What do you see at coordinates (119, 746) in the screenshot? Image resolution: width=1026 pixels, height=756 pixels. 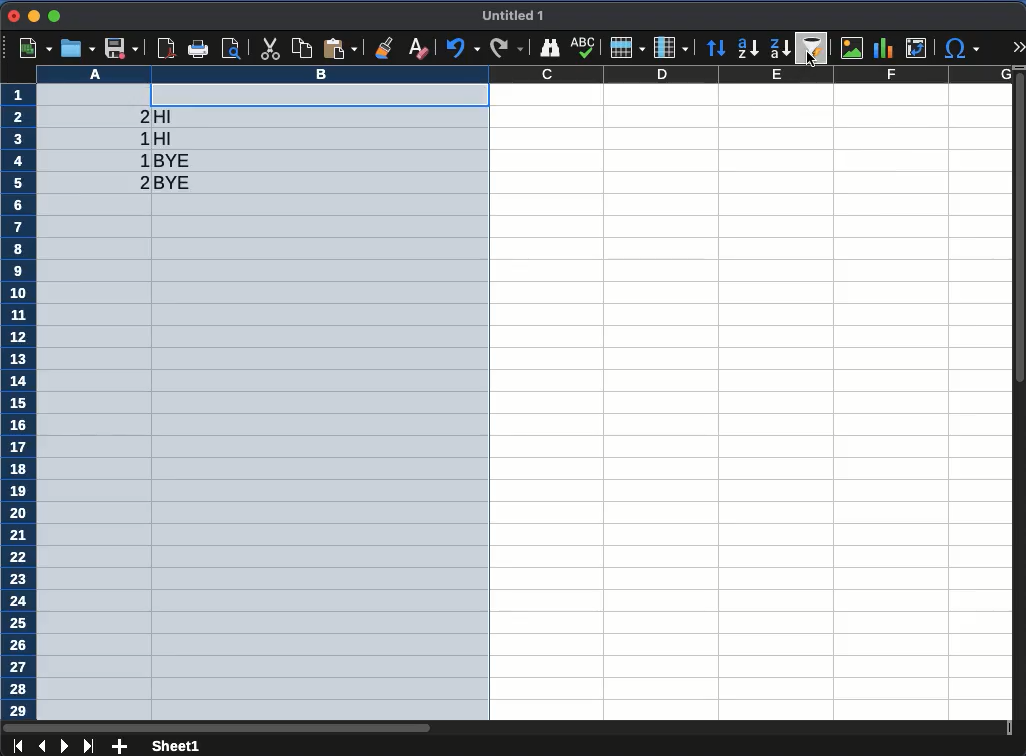 I see `add` at bounding box center [119, 746].